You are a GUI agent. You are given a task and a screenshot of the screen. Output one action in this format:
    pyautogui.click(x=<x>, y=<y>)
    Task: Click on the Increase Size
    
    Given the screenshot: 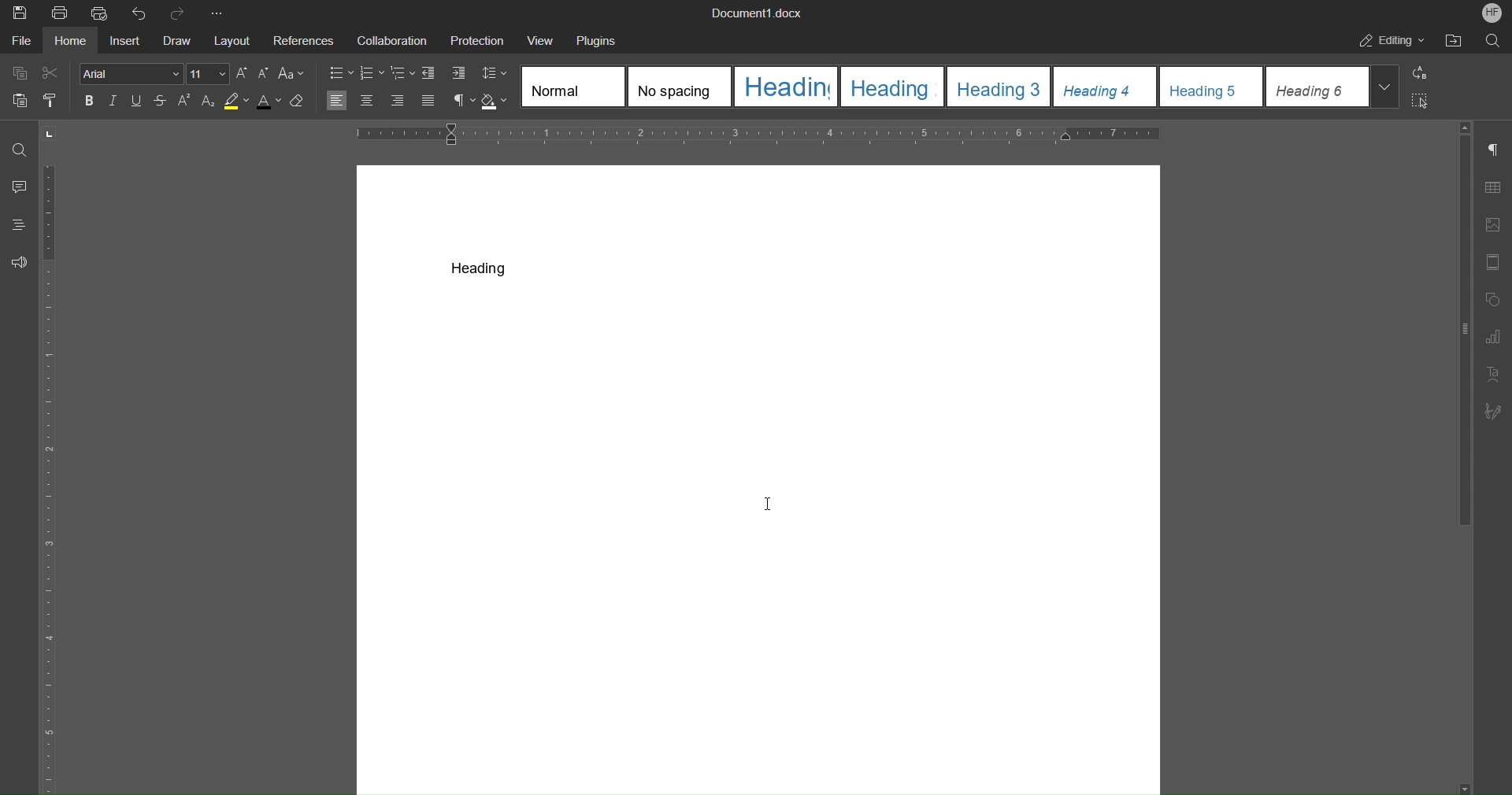 What is the action you would take?
    pyautogui.click(x=241, y=73)
    